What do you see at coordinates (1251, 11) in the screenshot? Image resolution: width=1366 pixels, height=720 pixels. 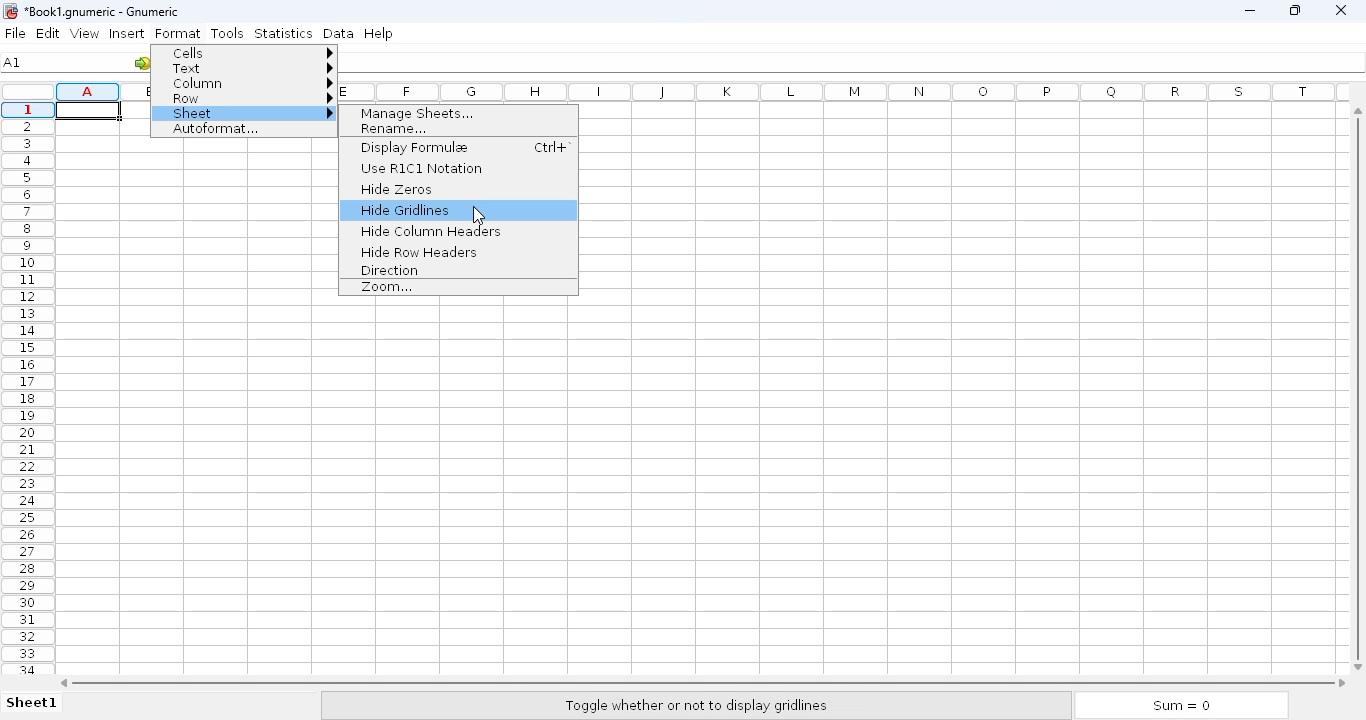 I see `minimize` at bounding box center [1251, 11].